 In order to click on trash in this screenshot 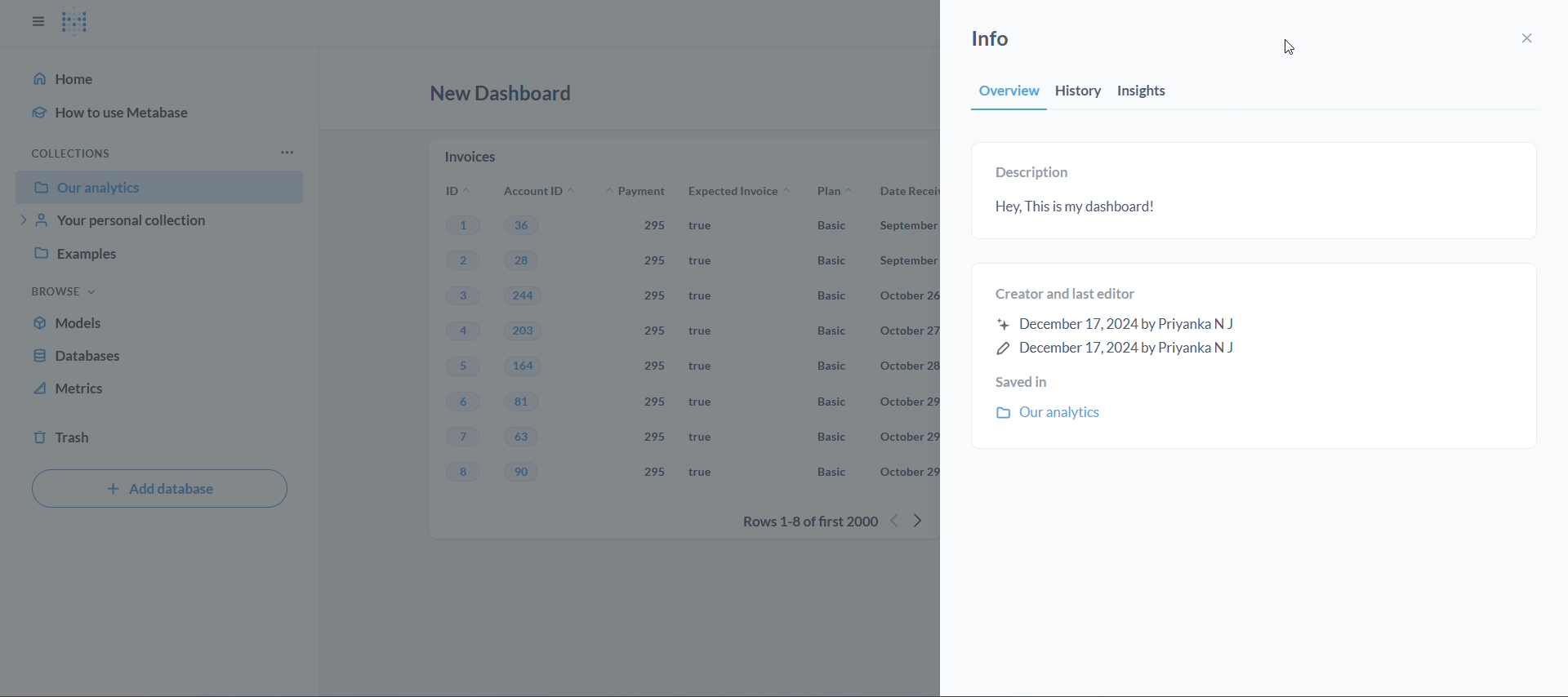, I will do `click(163, 437)`.